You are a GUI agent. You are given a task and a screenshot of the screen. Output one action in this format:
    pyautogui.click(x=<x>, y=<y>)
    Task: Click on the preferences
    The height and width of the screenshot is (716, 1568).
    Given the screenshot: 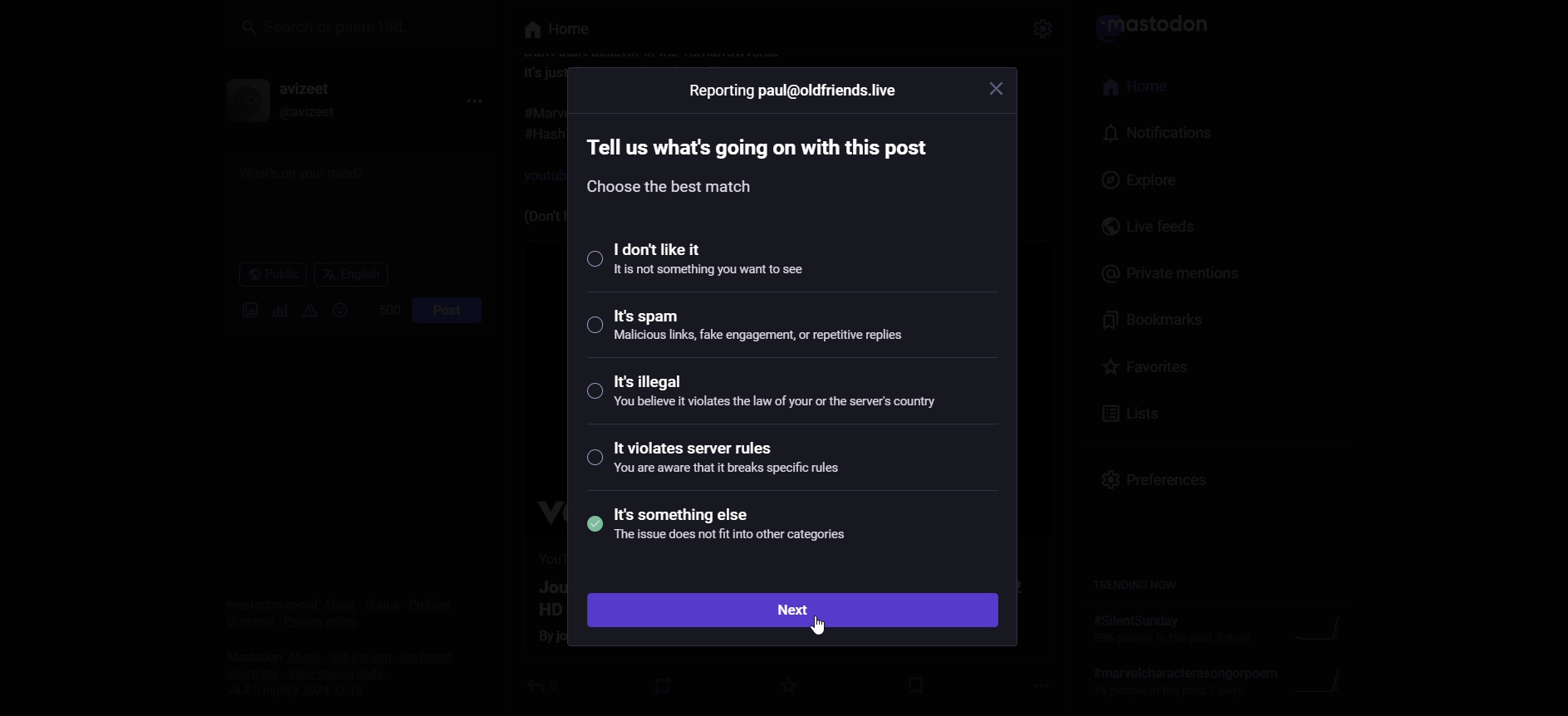 What is the action you would take?
    pyautogui.click(x=1162, y=485)
    